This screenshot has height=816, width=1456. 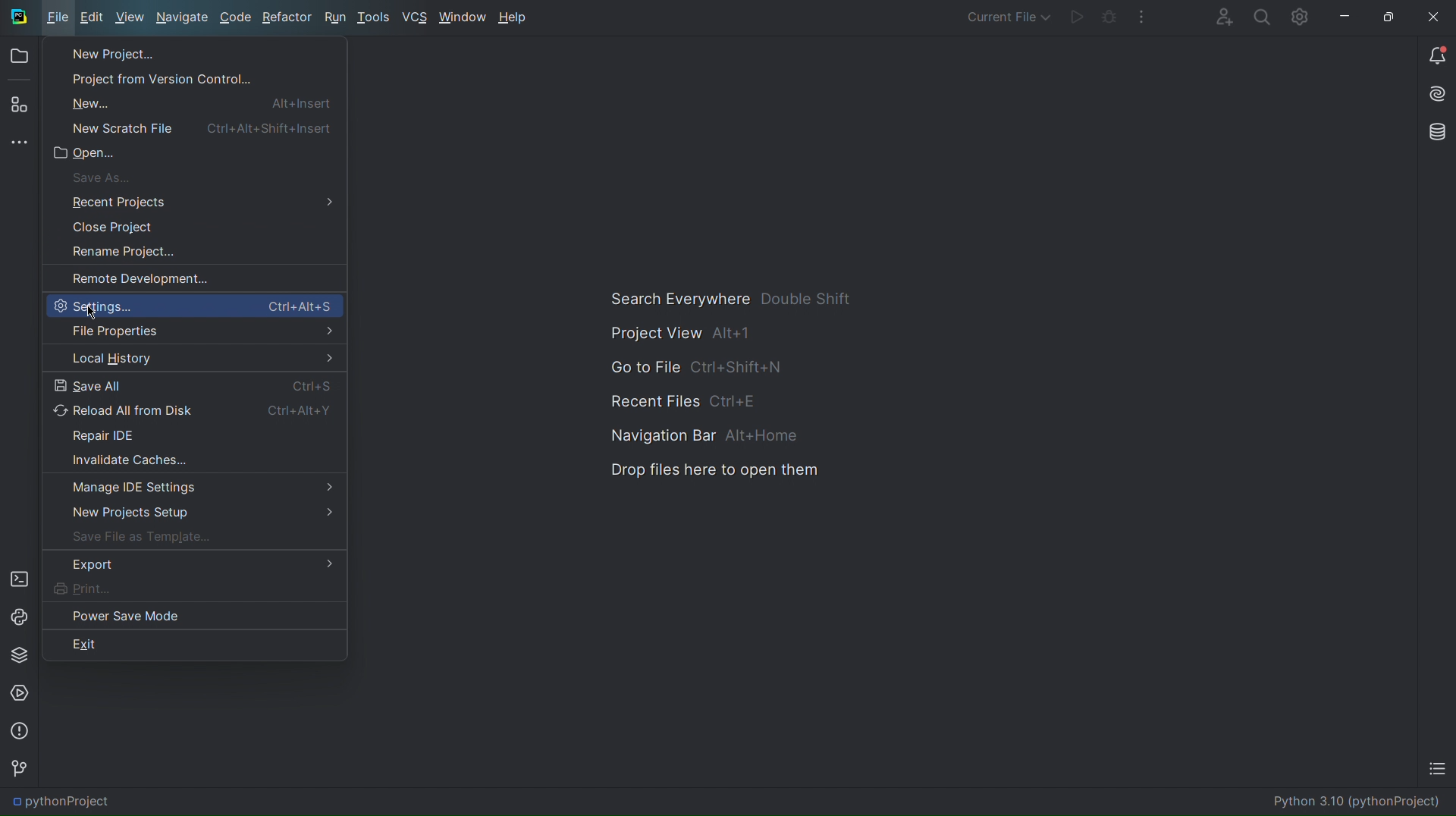 What do you see at coordinates (185, 17) in the screenshot?
I see `Navigate` at bounding box center [185, 17].